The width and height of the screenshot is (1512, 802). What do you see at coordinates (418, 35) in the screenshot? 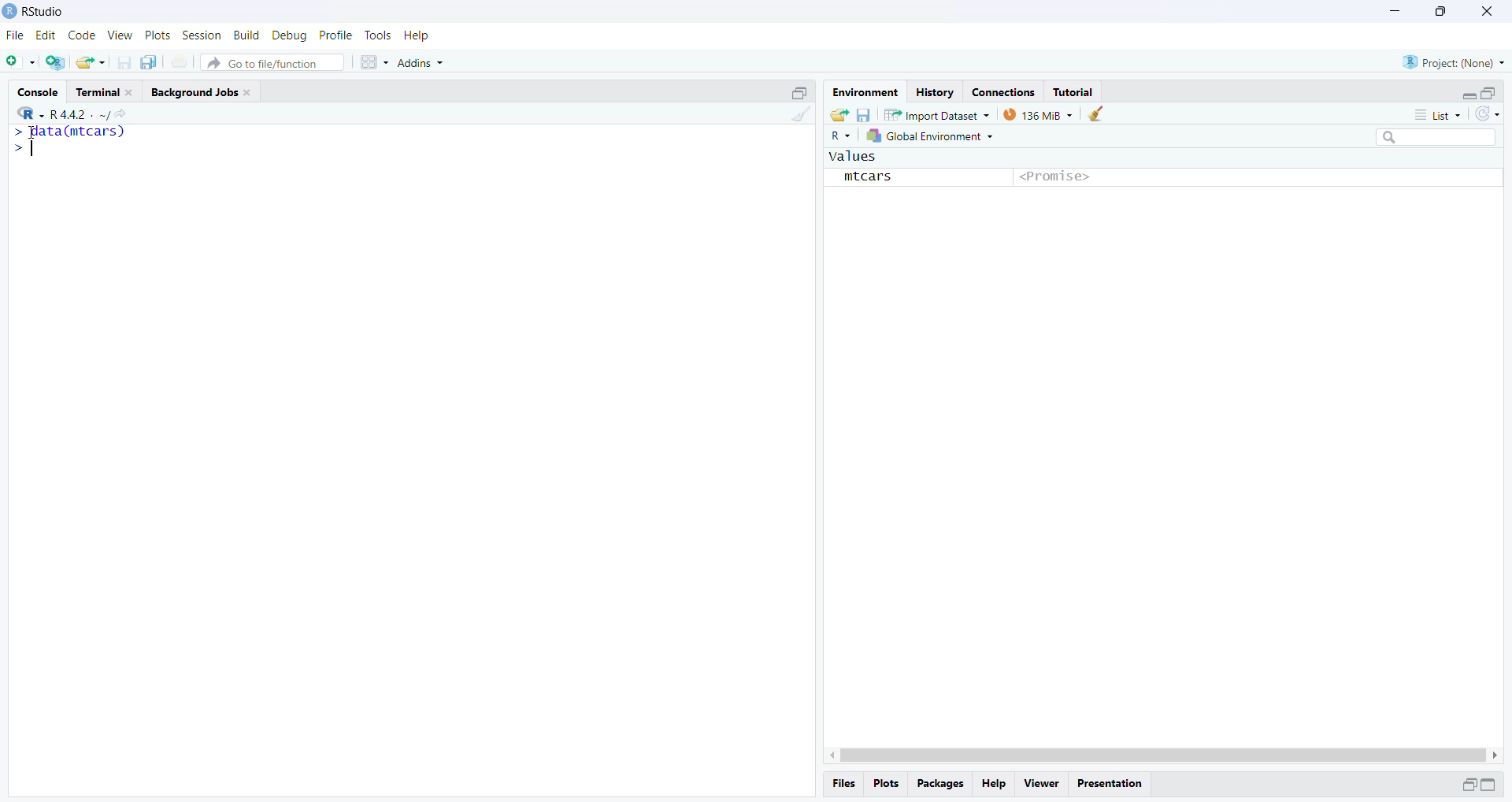
I see `Help` at bounding box center [418, 35].